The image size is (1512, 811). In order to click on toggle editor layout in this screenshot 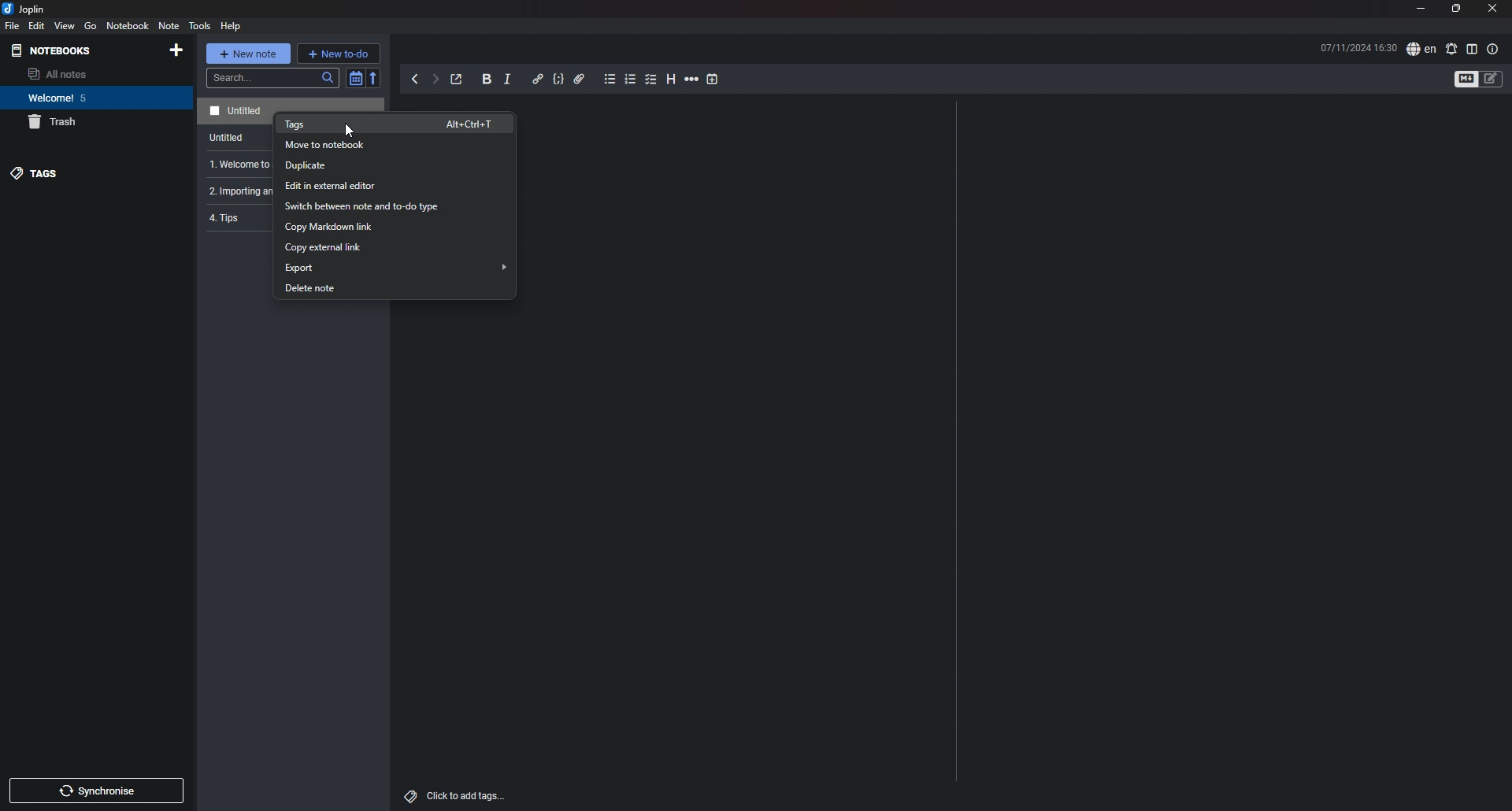, I will do `click(1472, 49)`.